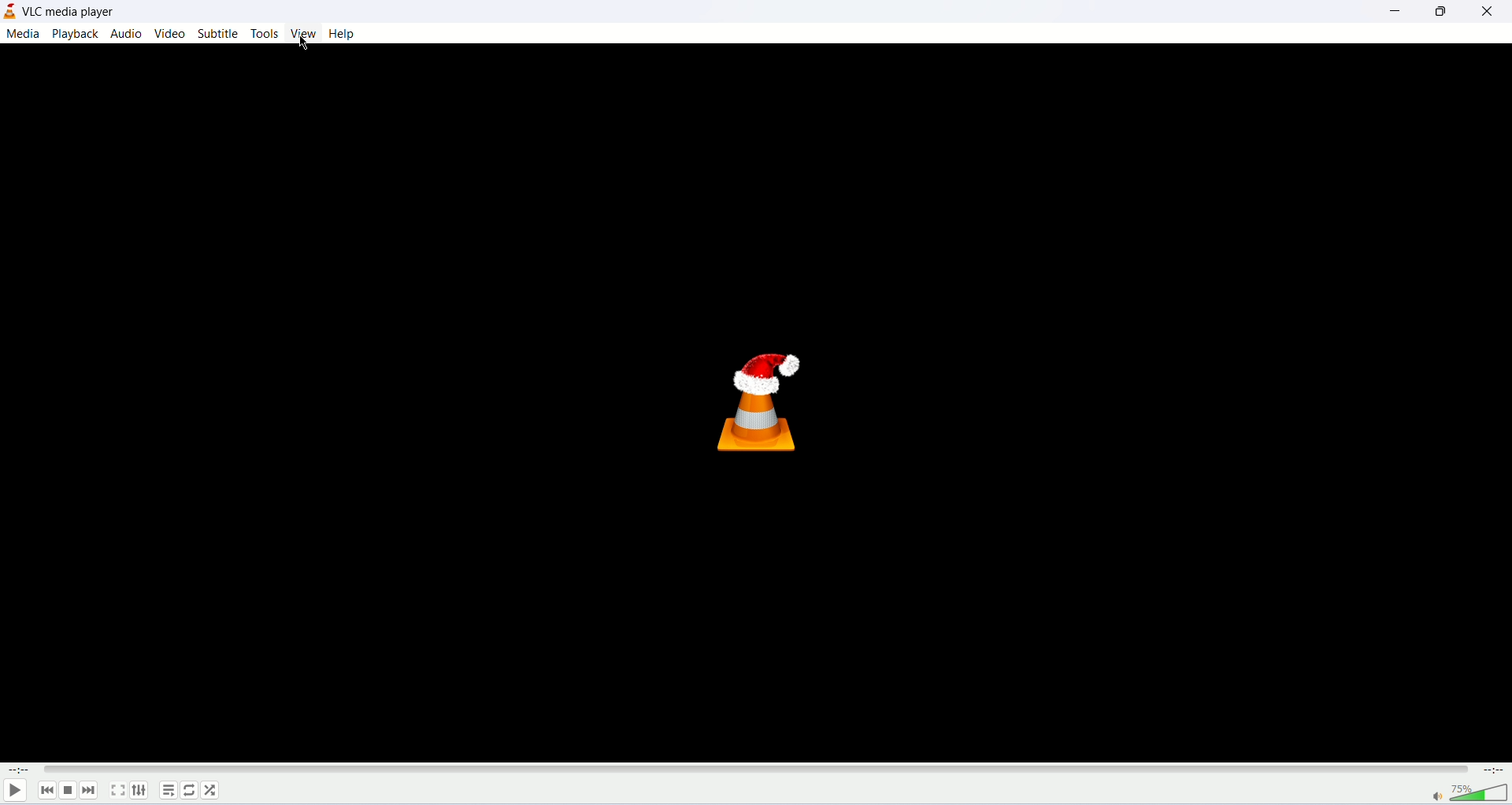 Image resolution: width=1512 pixels, height=805 pixels. I want to click on loop, so click(191, 791).